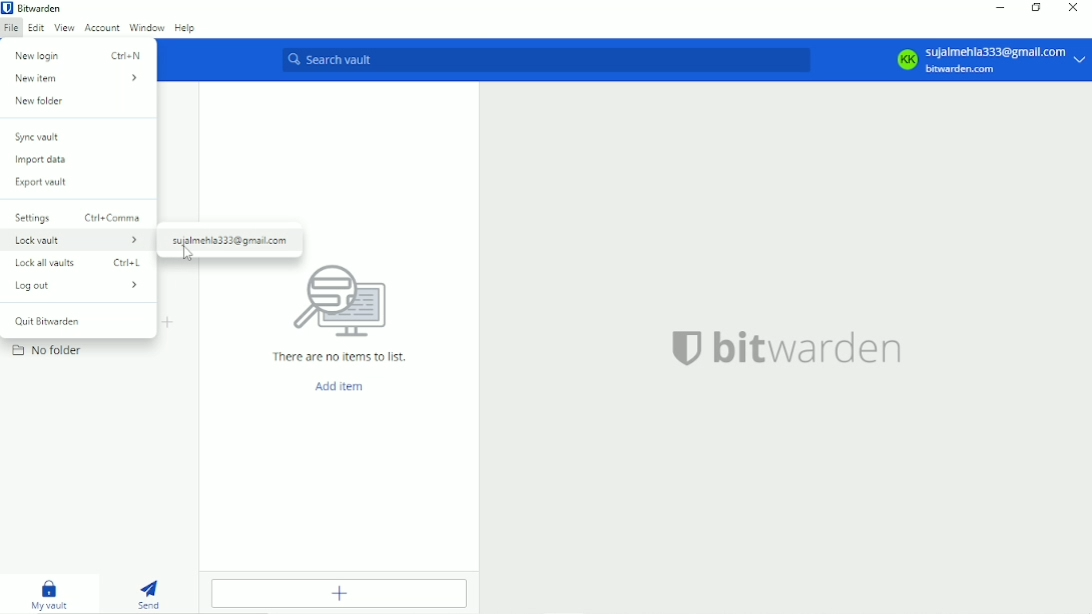  I want to click on My vault, so click(48, 591).